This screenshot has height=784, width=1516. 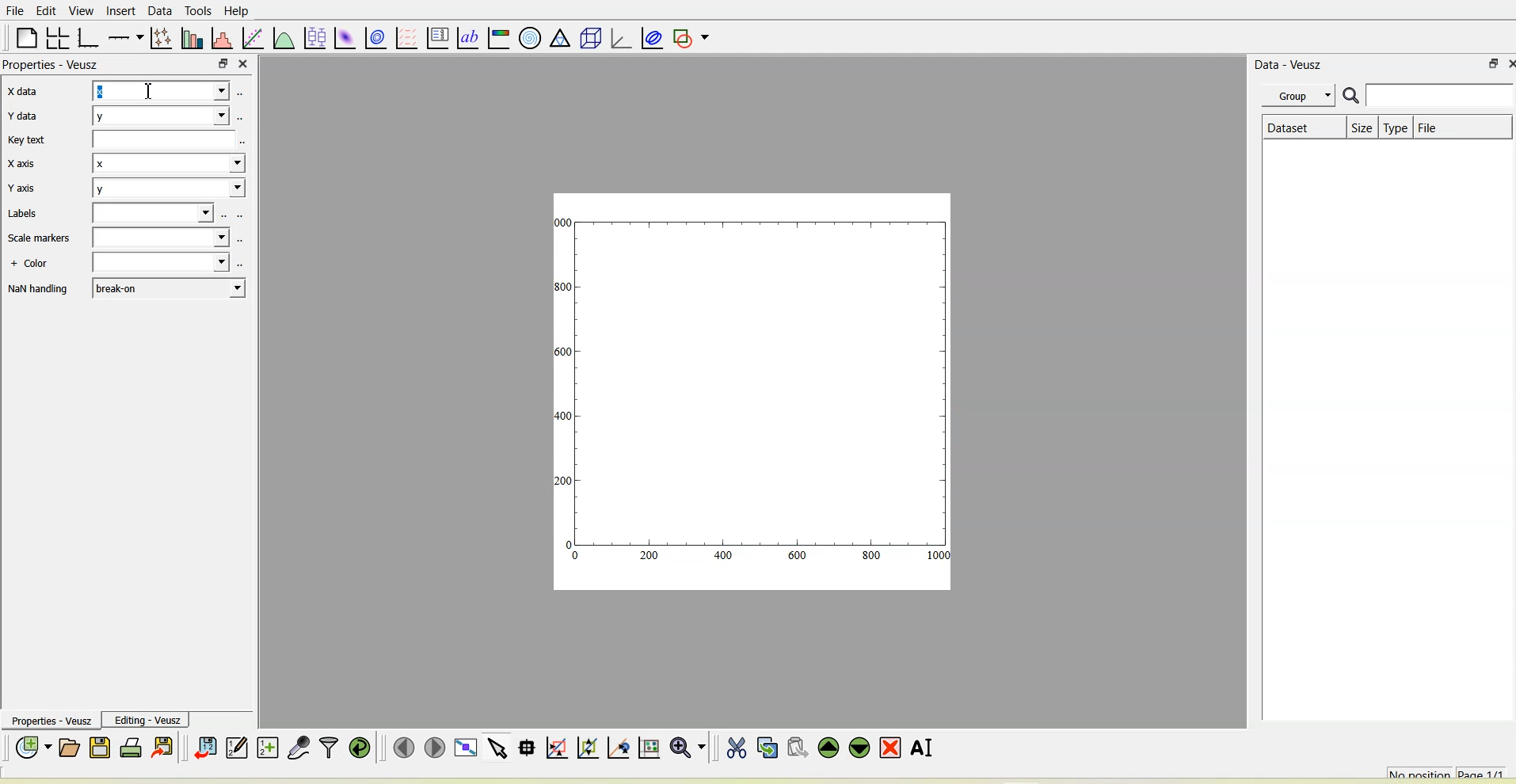 What do you see at coordinates (558, 748) in the screenshot?
I see `Click or draw a rectangle to zoom graph axes` at bounding box center [558, 748].